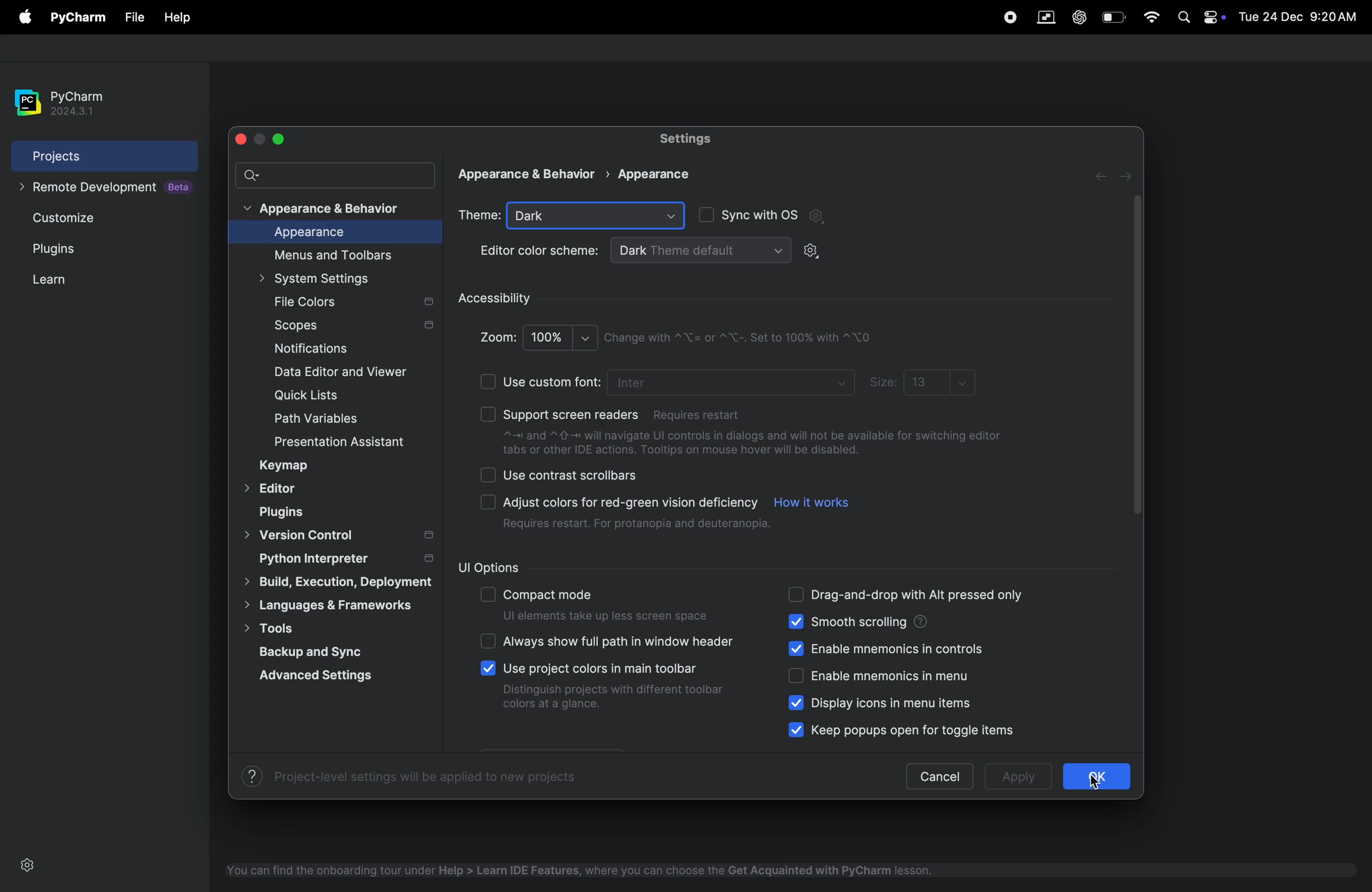  Describe the element at coordinates (562, 338) in the screenshot. I see `zoom` at that location.